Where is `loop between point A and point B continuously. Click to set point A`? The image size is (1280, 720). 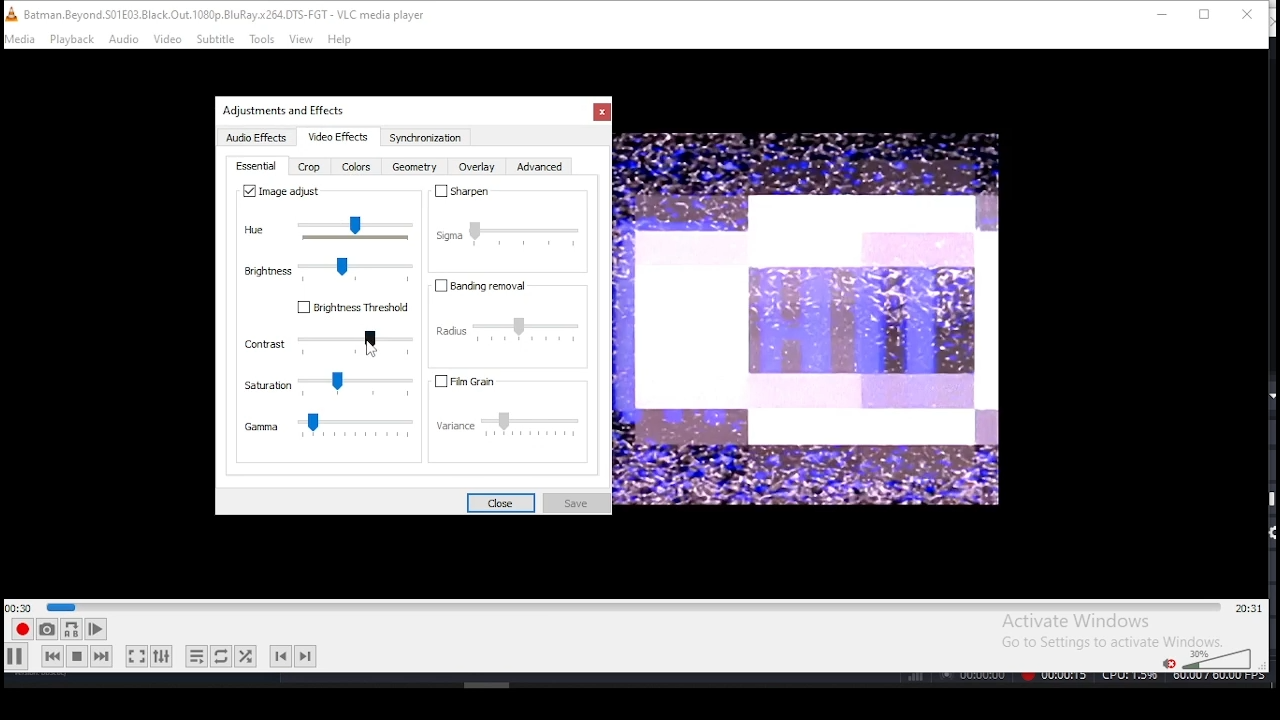
loop between point A and point B continuously. Click to set point A is located at coordinates (69, 630).